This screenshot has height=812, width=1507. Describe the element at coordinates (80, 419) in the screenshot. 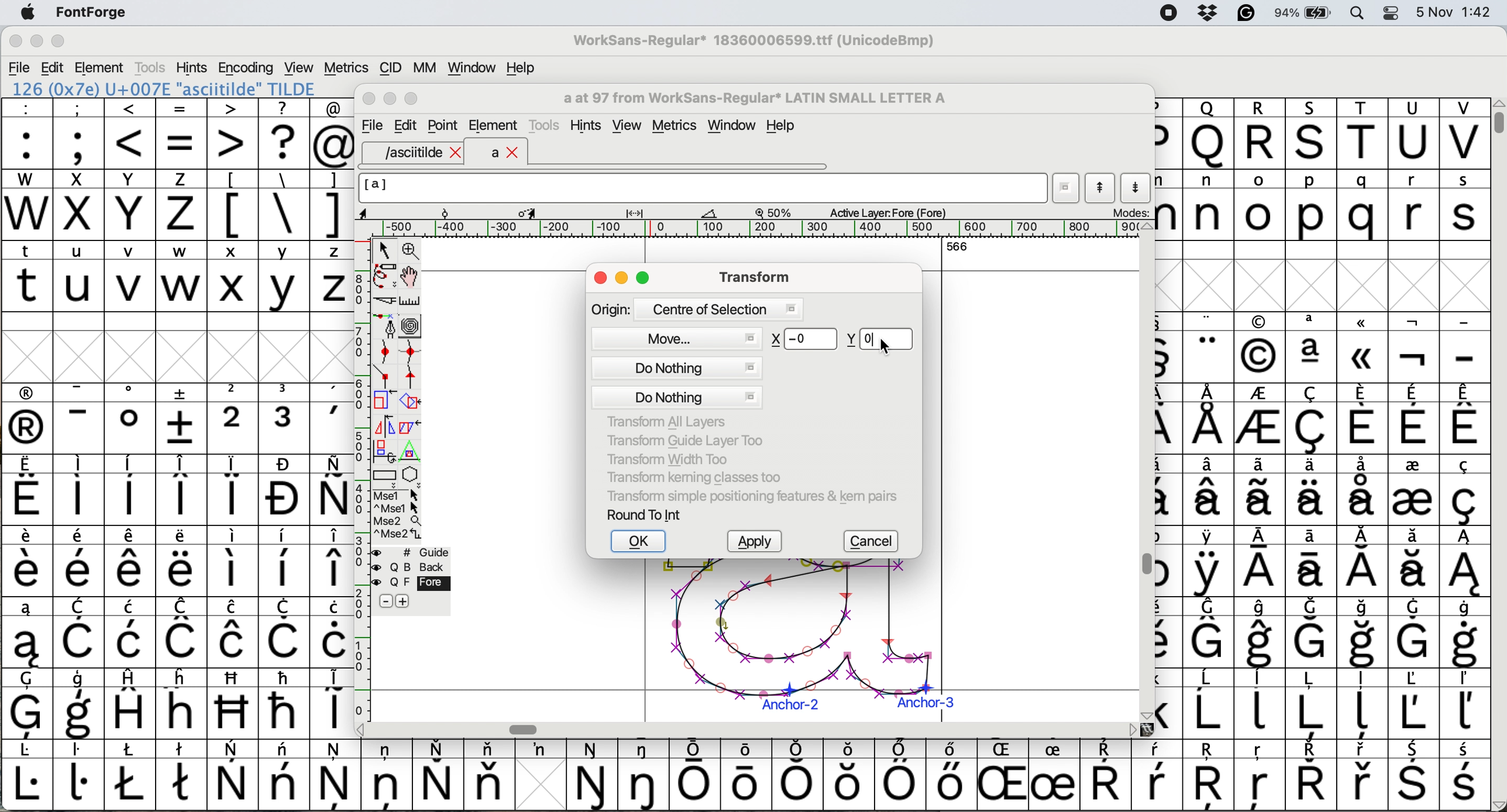

I see `symbol` at that location.